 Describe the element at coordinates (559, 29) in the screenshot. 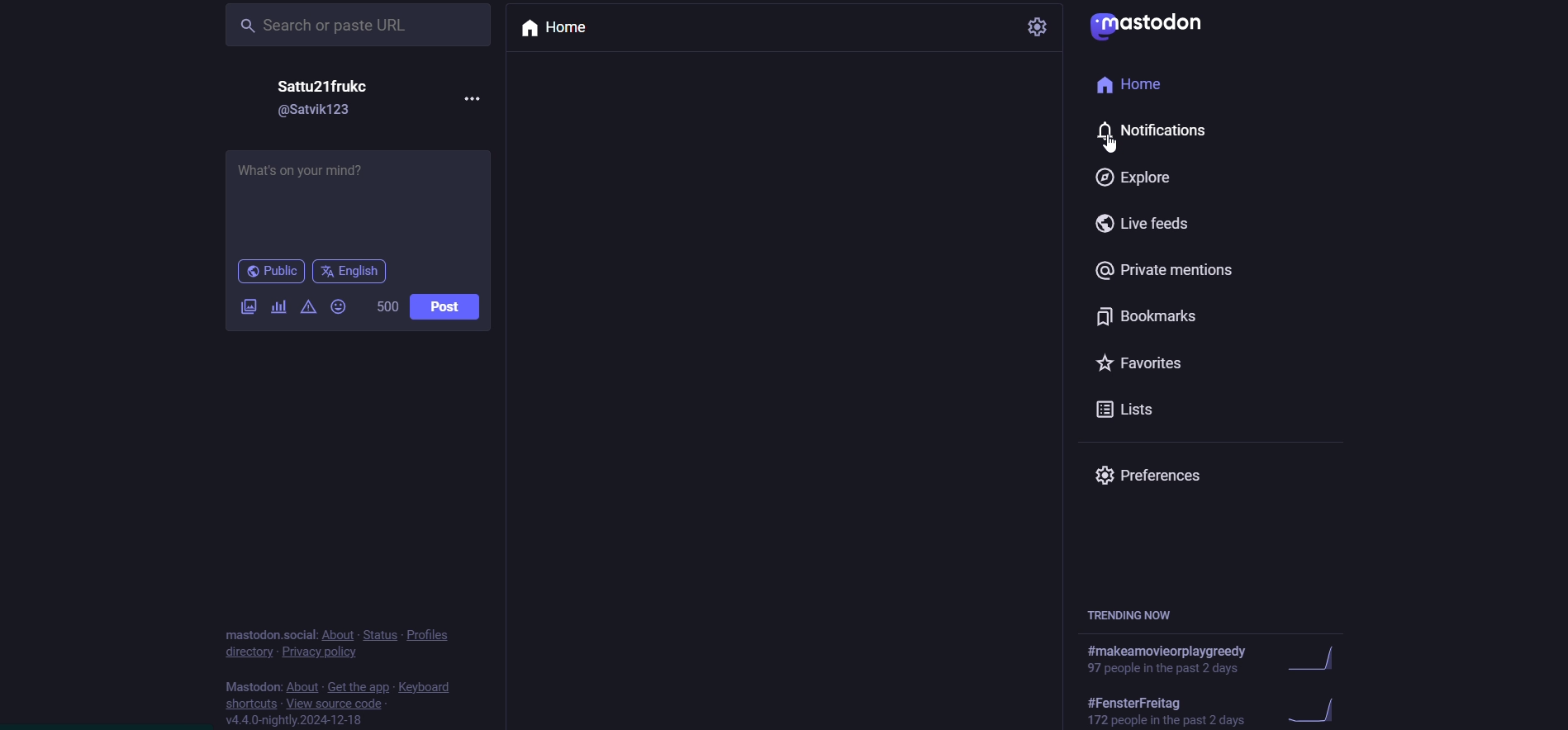

I see `Home` at that location.